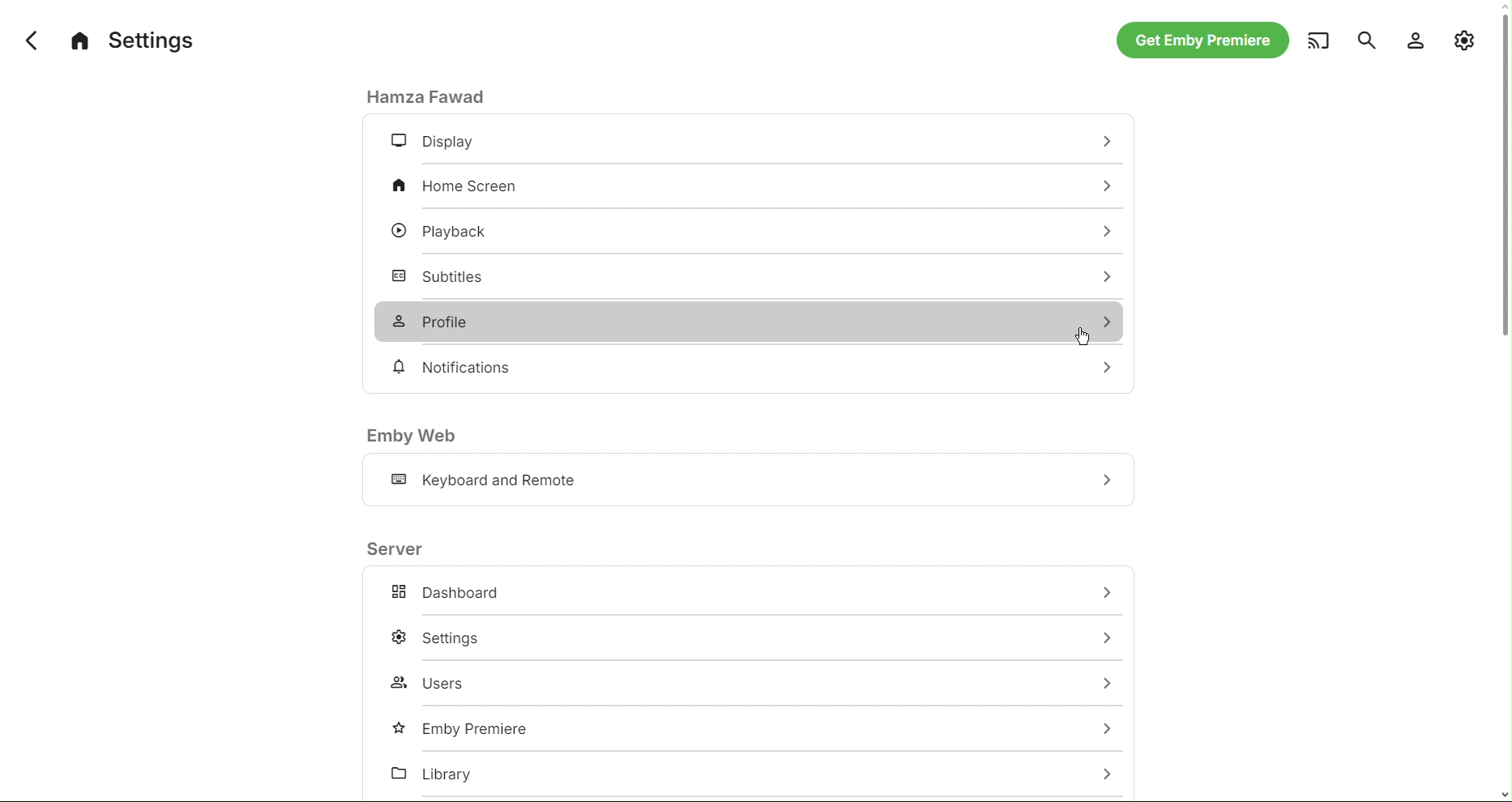 This screenshot has width=1512, height=802. What do you see at coordinates (1110, 232) in the screenshot?
I see `go` at bounding box center [1110, 232].